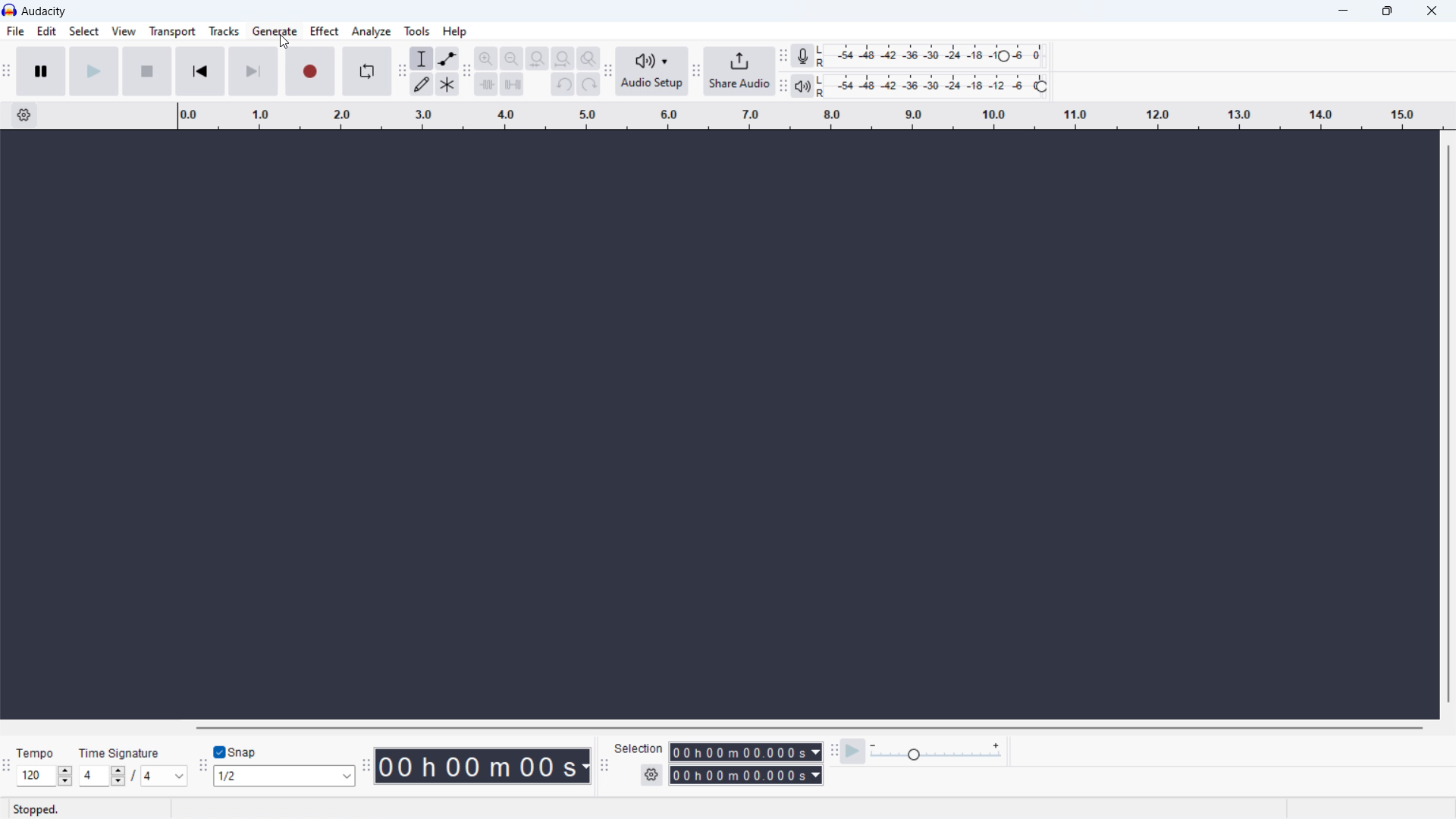 This screenshot has width=1456, height=819. What do you see at coordinates (639, 750) in the screenshot?
I see `Selection` at bounding box center [639, 750].